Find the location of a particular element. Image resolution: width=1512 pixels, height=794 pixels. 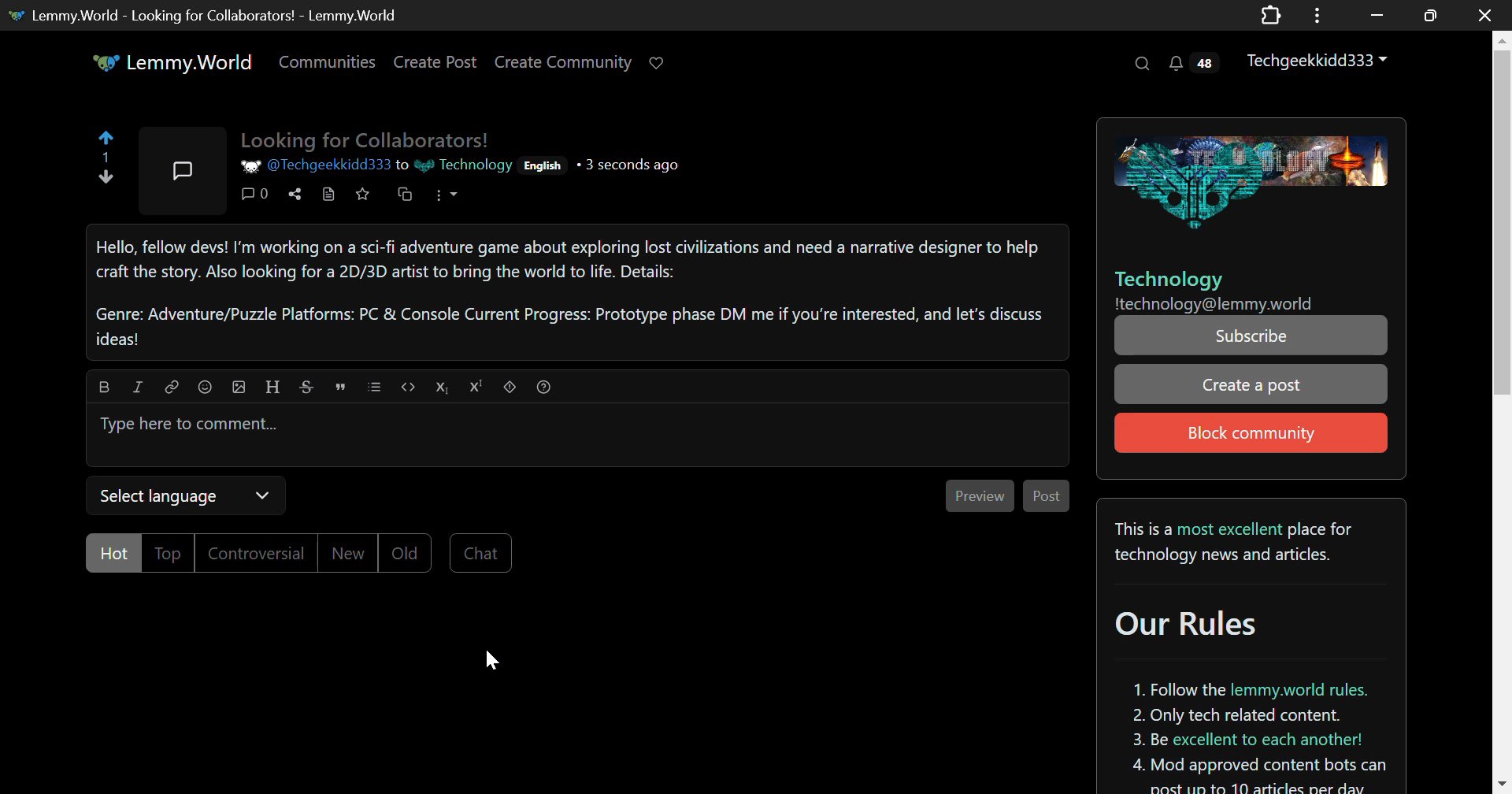

Select Language is located at coordinates (180, 496).